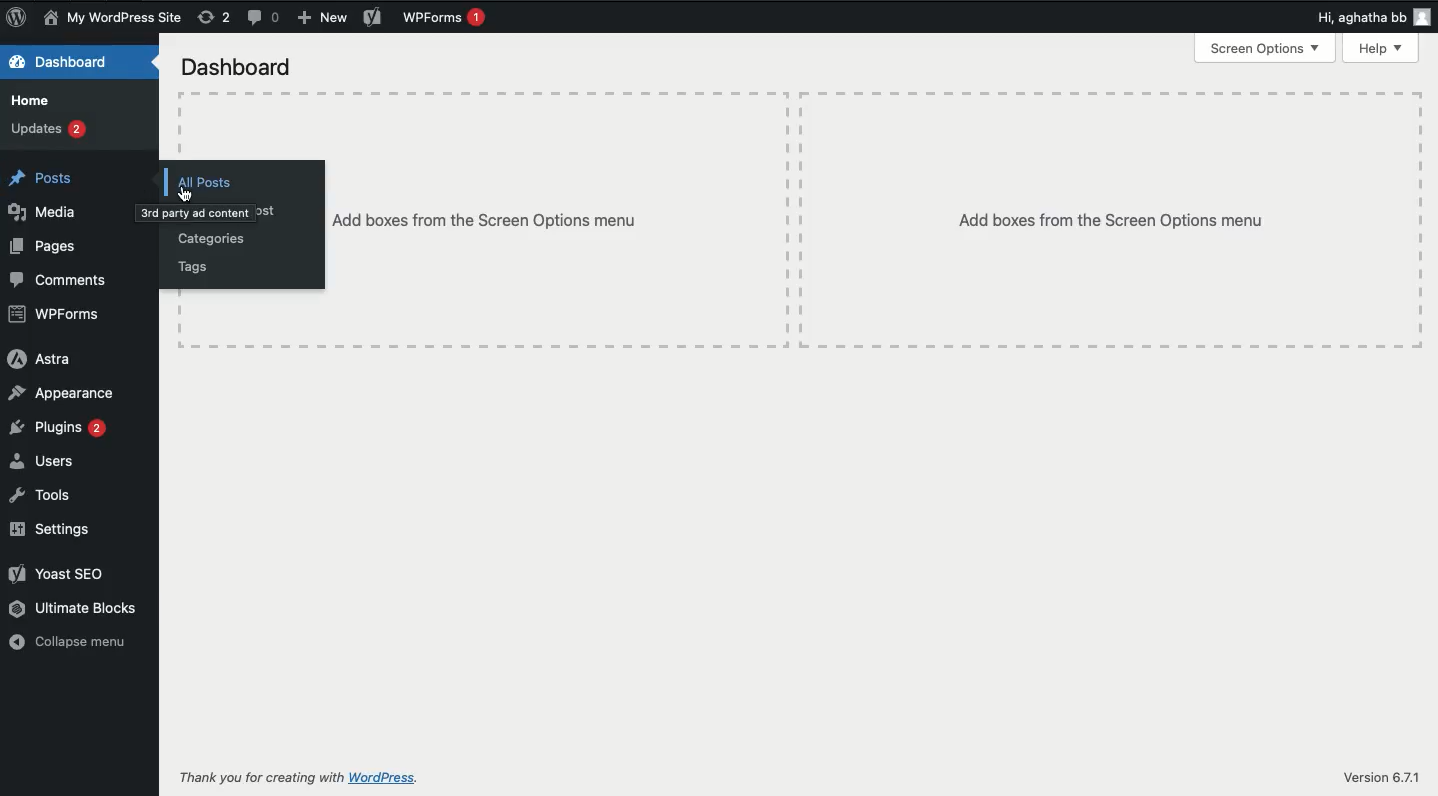  I want to click on WPForms, so click(54, 315).